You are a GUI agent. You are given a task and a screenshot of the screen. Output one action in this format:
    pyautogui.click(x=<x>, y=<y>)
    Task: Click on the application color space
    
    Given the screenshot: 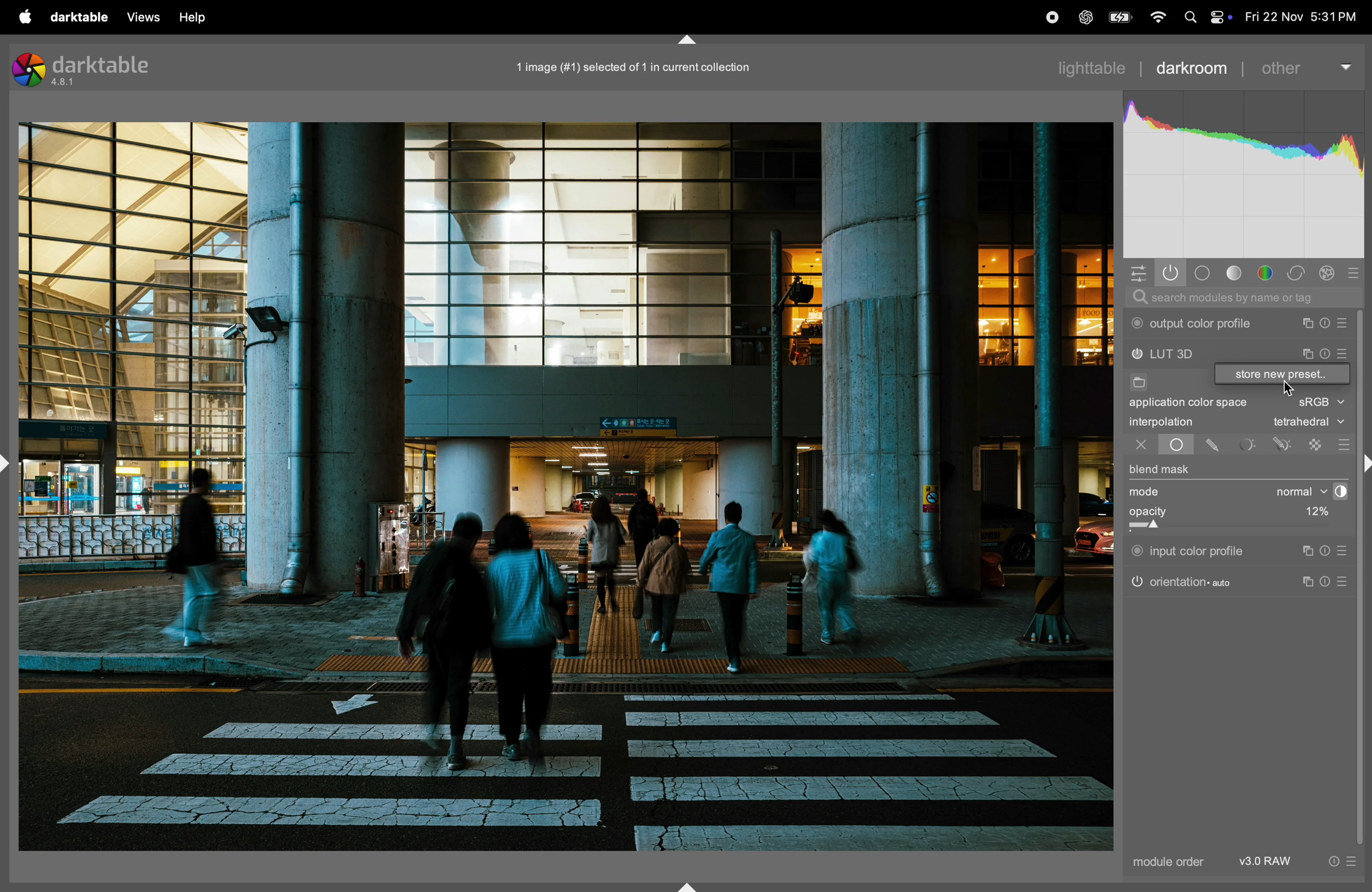 What is the action you would take?
    pyautogui.click(x=1198, y=405)
    